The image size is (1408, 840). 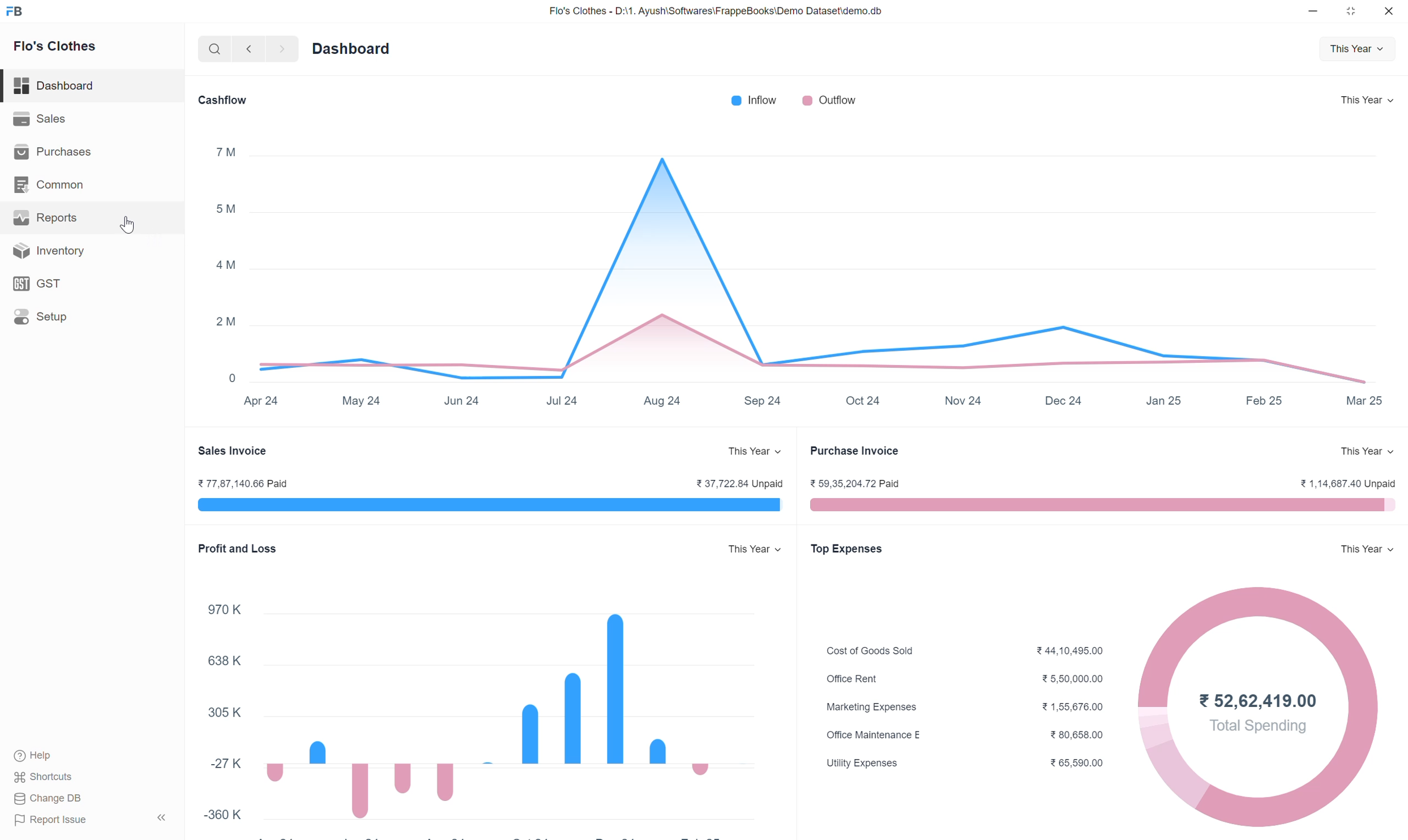 What do you see at coordinates (50, 121) in the screenshot?
I see `Sales` at bounding box center [50, 121].